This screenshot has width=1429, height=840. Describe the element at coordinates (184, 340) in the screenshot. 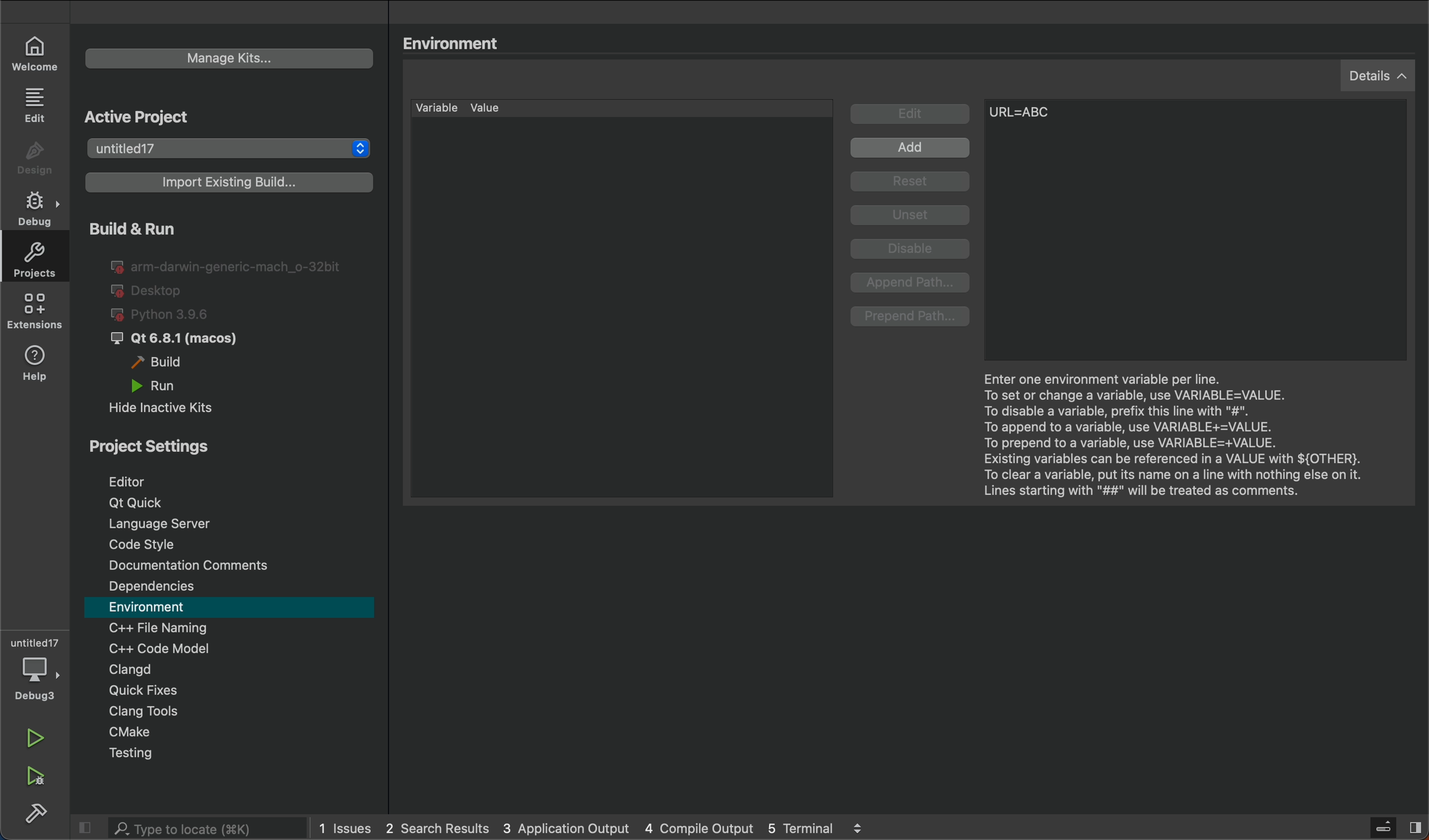

I see `J Qt 6.8.1 (macos)` at that location.